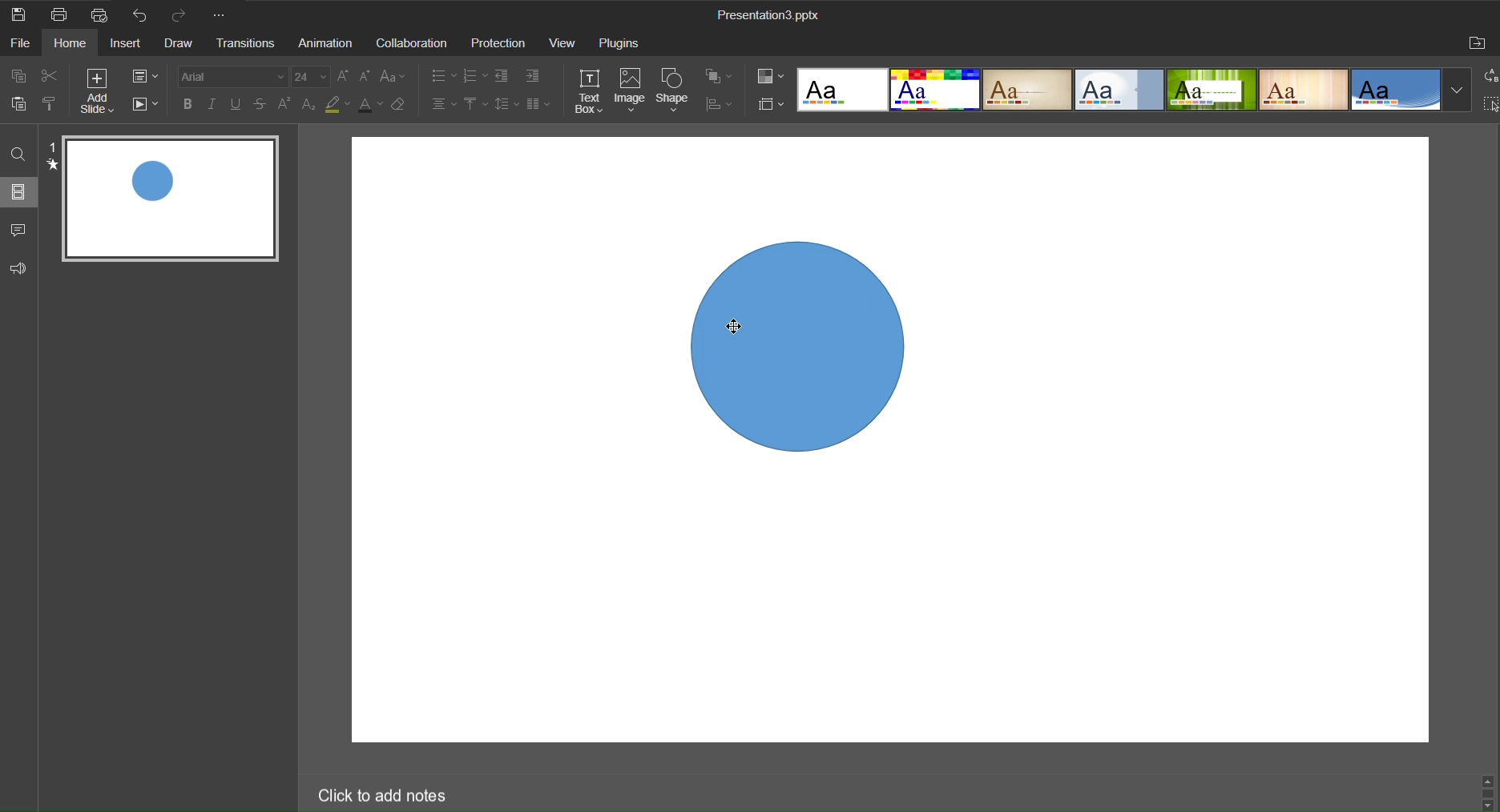  I want to click on Font Size, so click(367, 77).